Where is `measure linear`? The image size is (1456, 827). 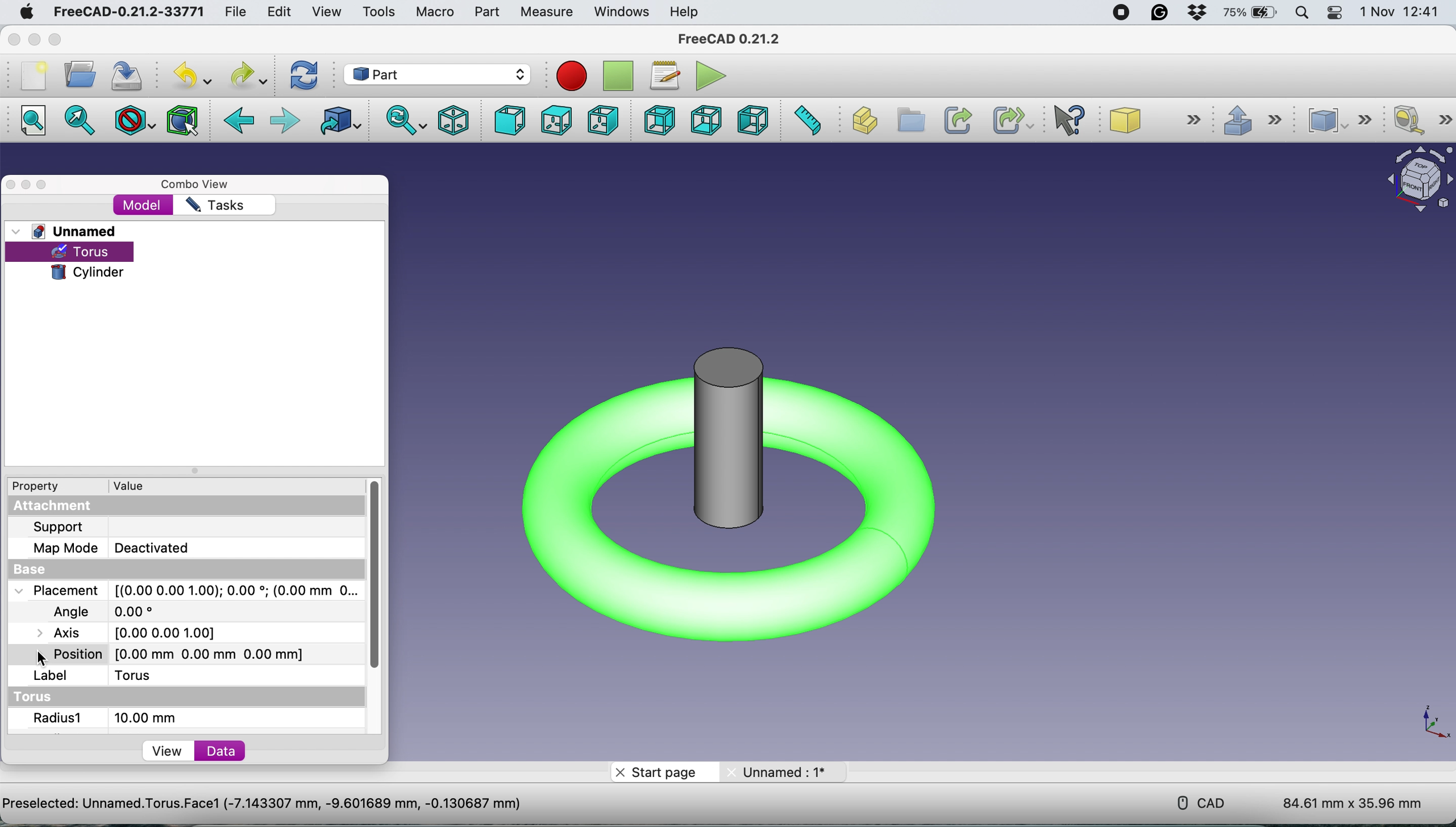
measure linear is located at coordinates (1421, 120).